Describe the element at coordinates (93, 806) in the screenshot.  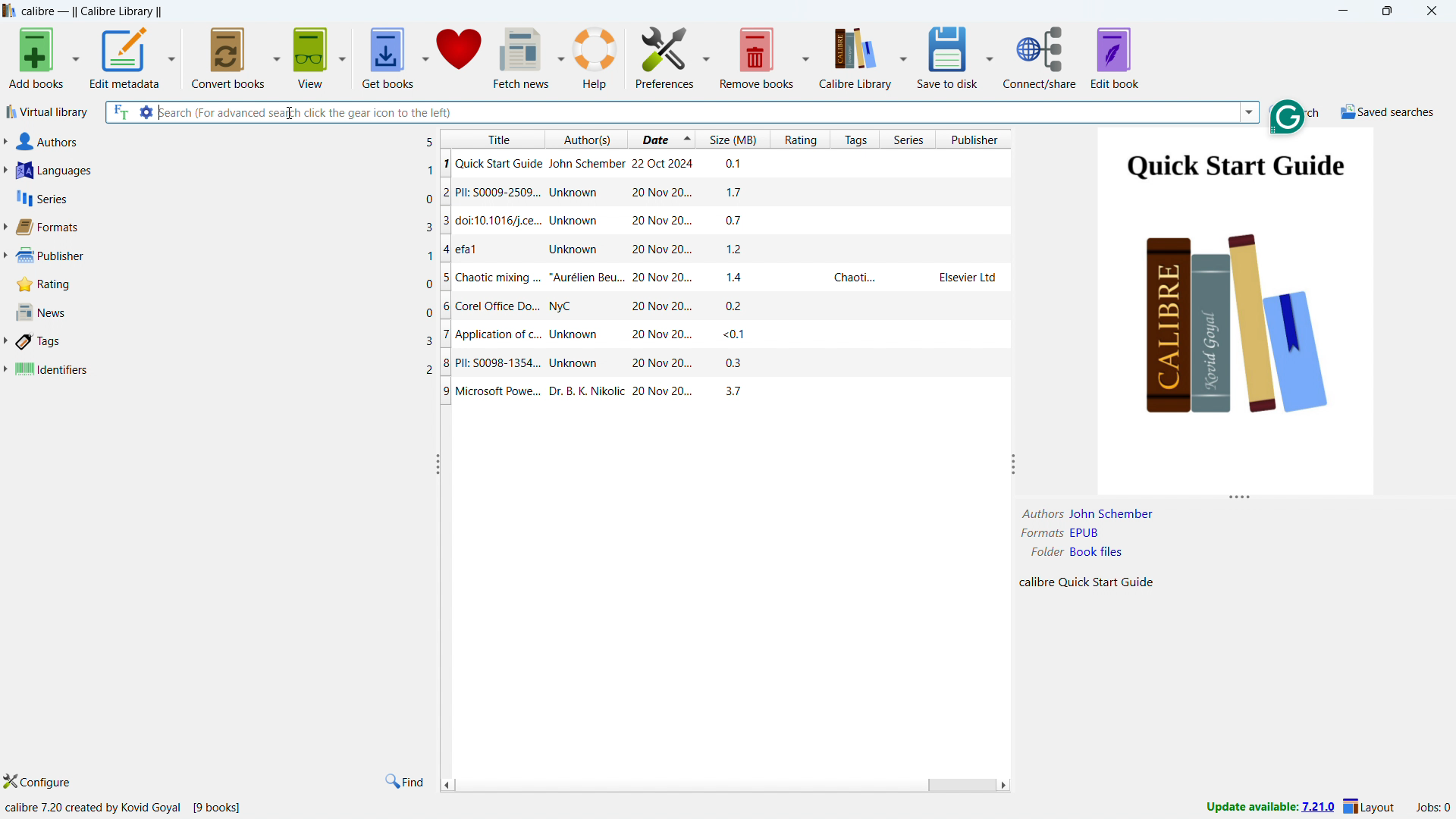
I see `calibre 7.20 created by kovid Goyal` at that location.